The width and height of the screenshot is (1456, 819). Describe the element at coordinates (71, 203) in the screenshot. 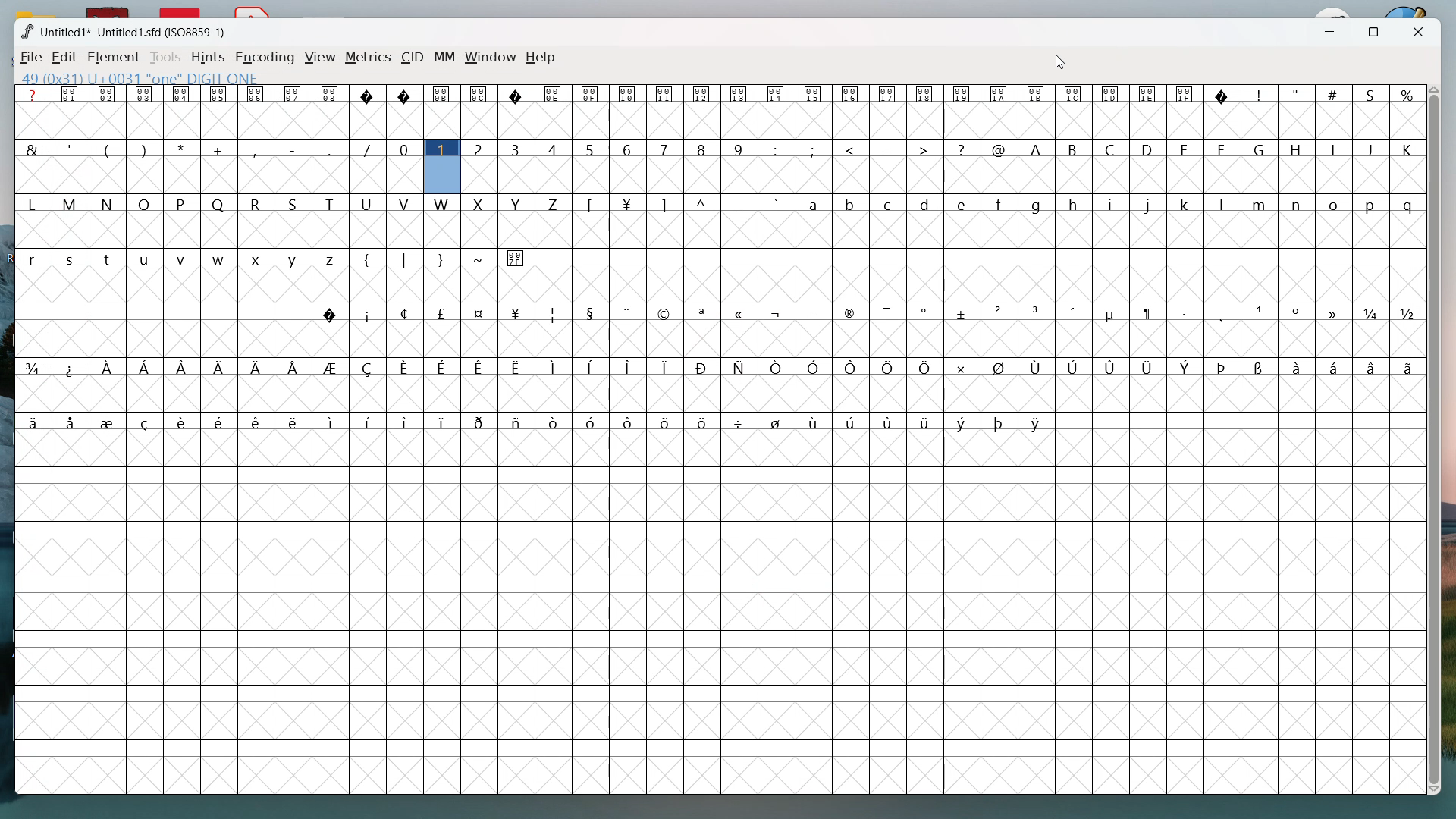

I see `M` at that location.